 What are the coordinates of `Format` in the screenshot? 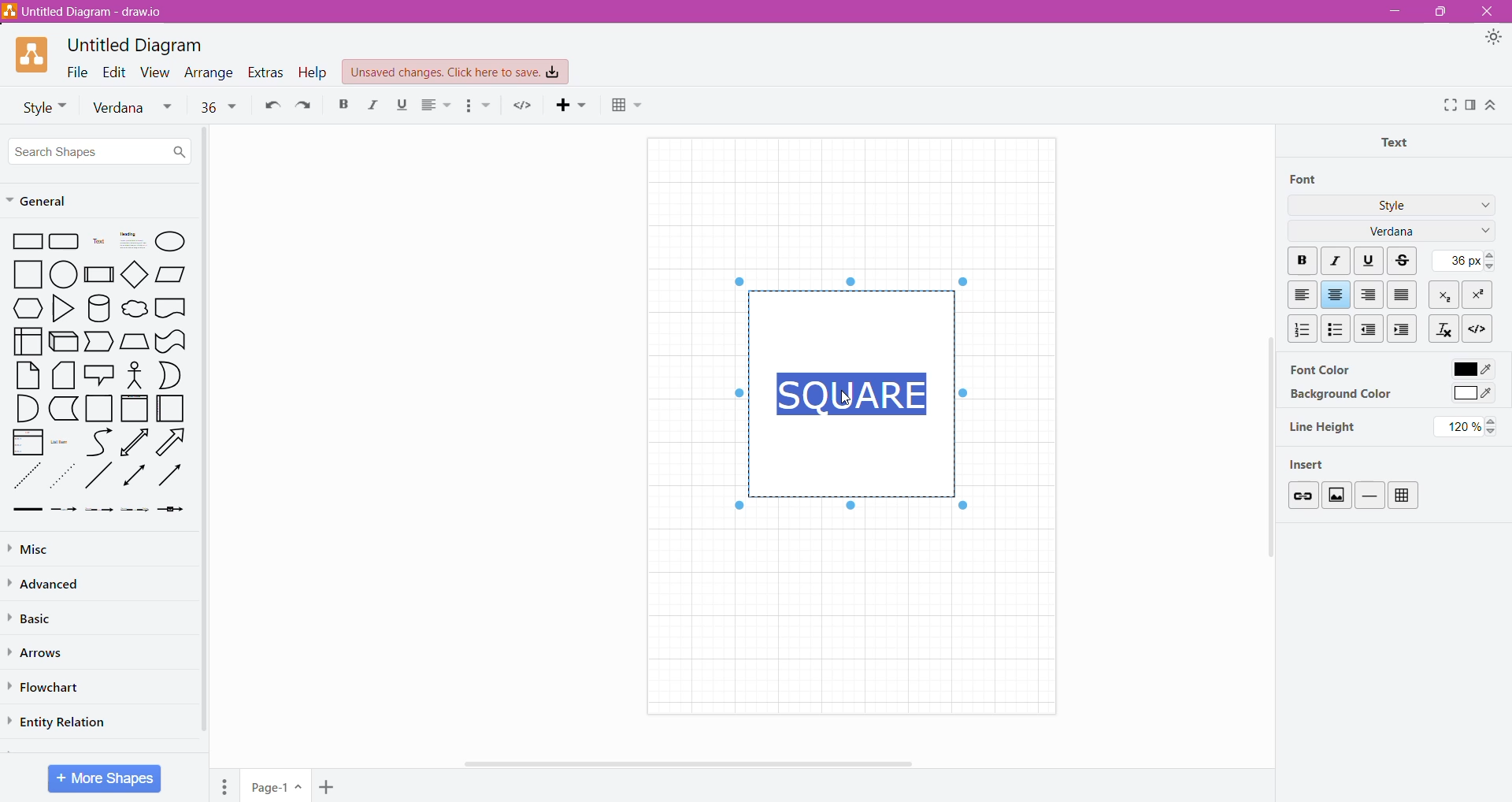 It's located at (1471, 105).